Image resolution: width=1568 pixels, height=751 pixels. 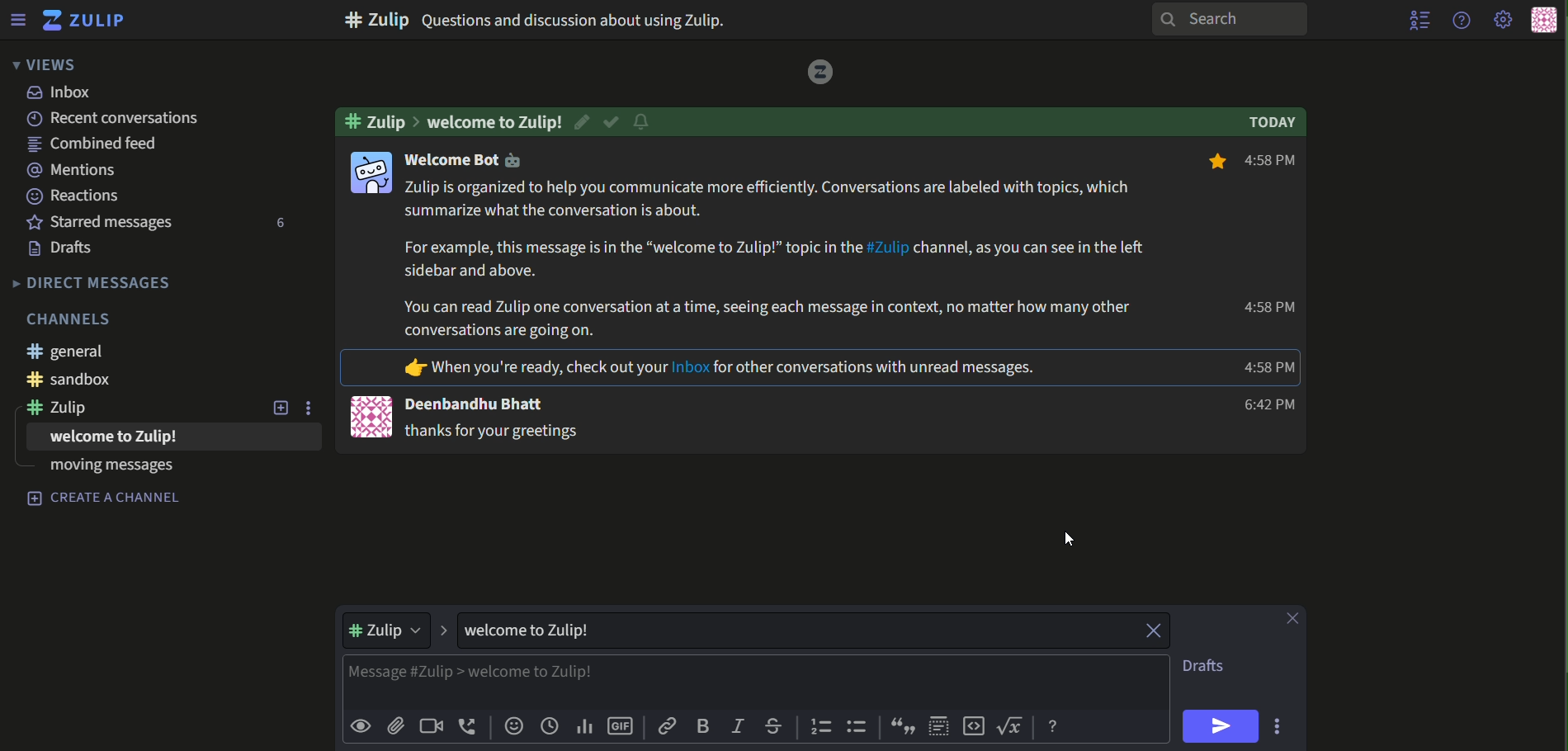 What do you see at coordinates (389, 631) in the screenshot?
I see `dropdown` at bounding box center [389, 631].